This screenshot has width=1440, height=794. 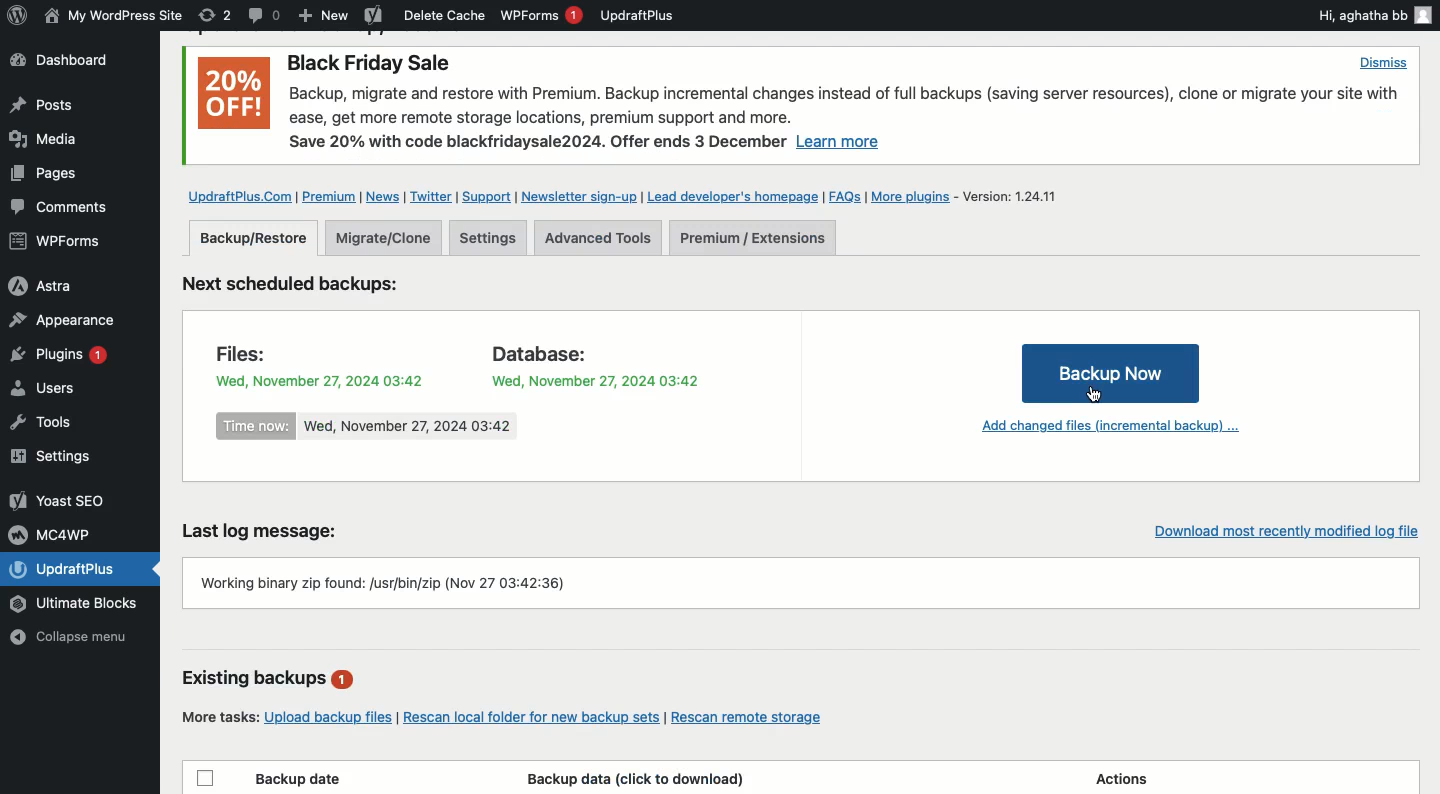 I want to click on New, so click(x=324, y=17).